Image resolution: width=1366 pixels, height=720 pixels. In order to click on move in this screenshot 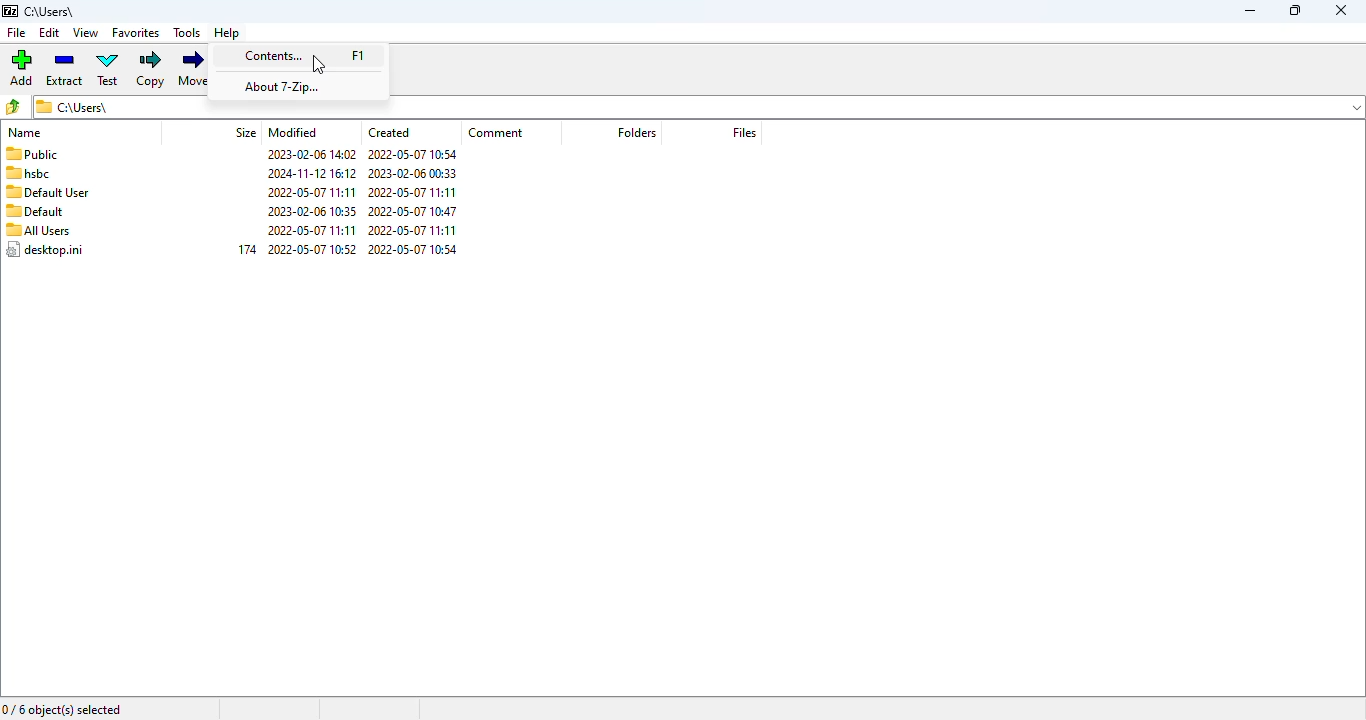, I will do `click(195, 69)`.